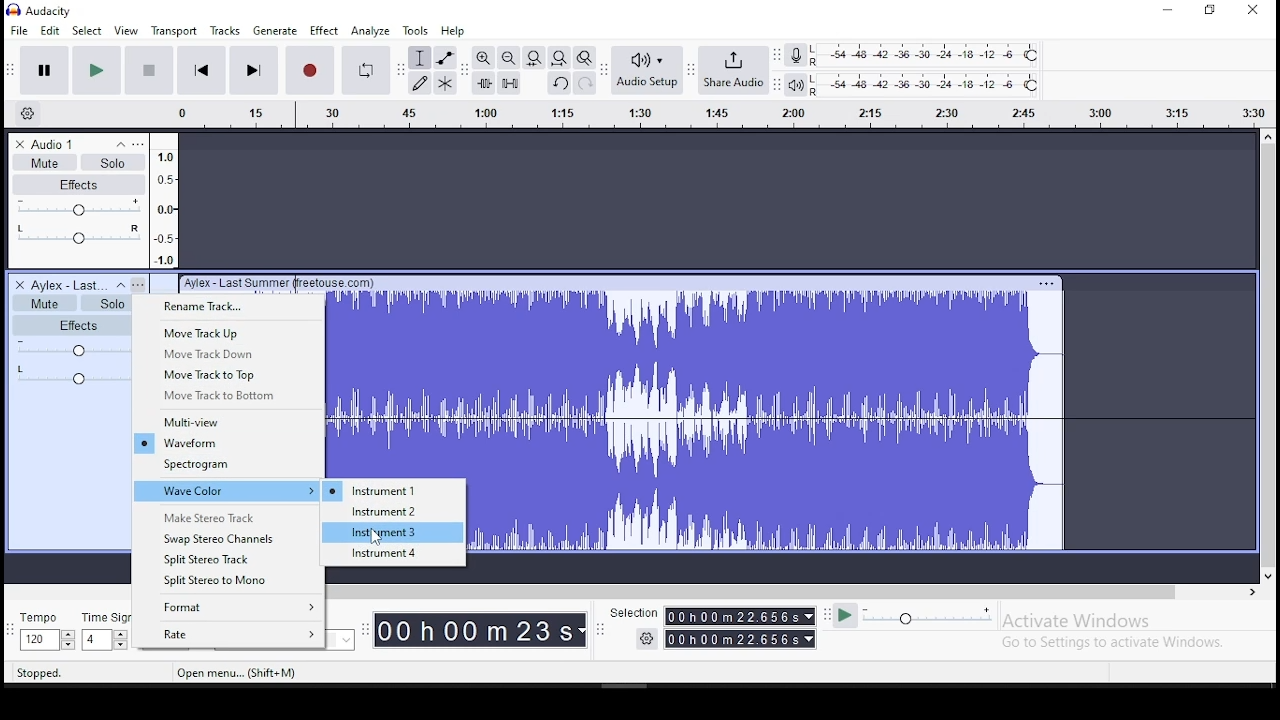 This screenshot has height=720, width=1280. Describe the element at coordinates (378, 538) in the screenshot. I see `Cursor` at that location.